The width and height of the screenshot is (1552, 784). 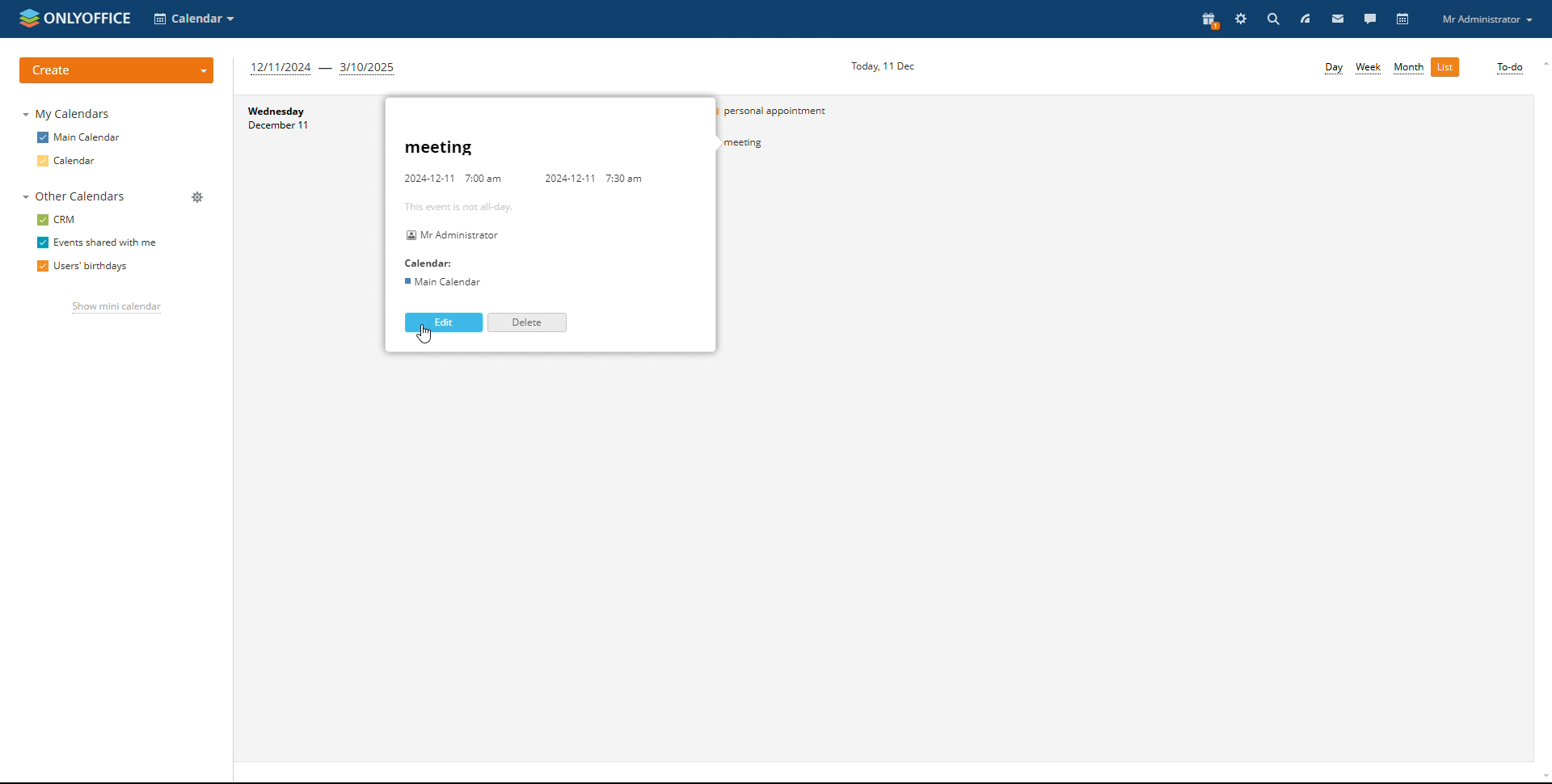 What do you see at coordinates (69, 162) in the screenshot?
I see `calendar` at bounding box center [69, 162].